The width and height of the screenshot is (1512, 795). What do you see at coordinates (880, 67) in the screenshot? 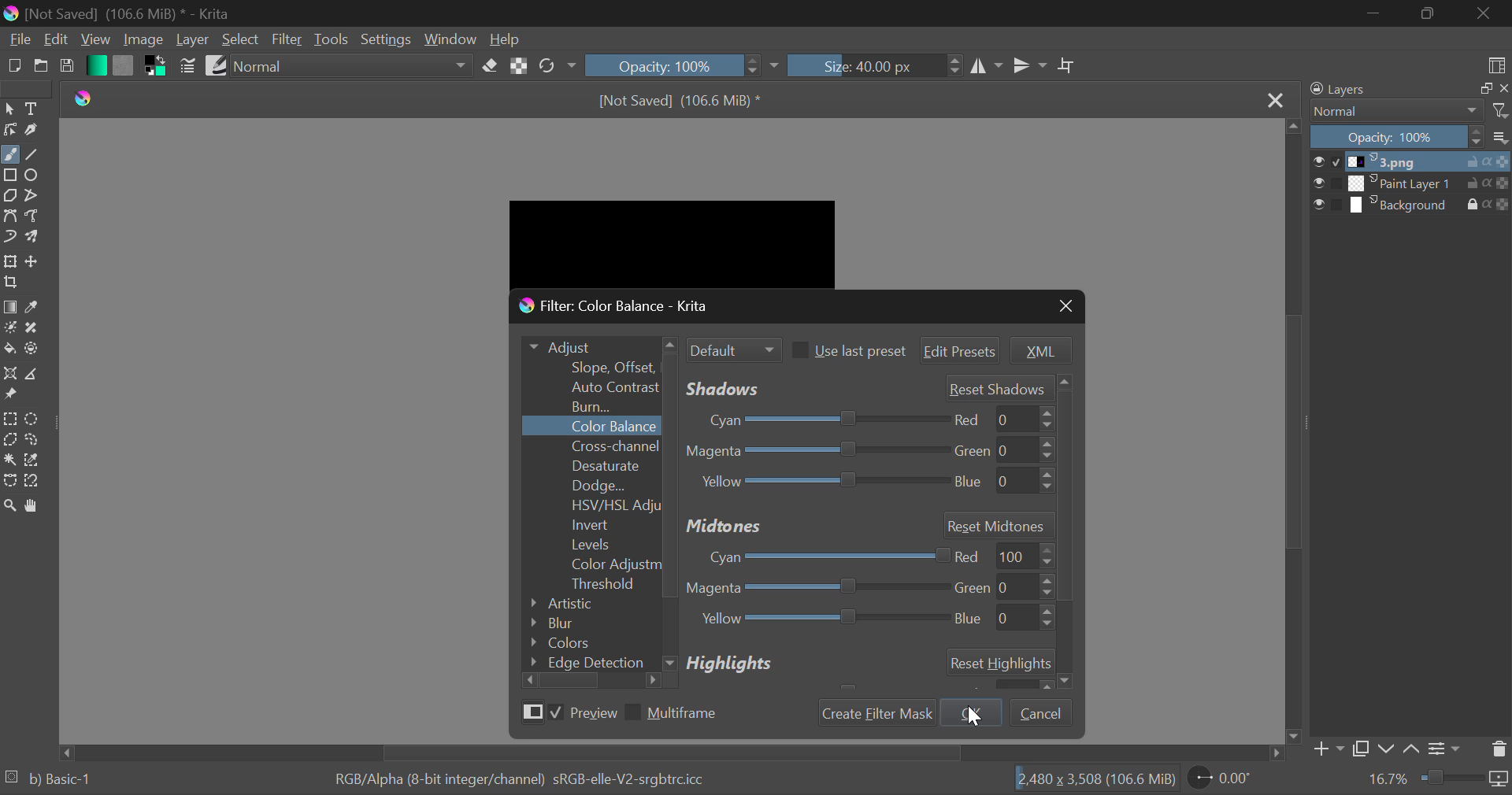
I see `Size: 40.00 px` at bounding box center [880, 67].